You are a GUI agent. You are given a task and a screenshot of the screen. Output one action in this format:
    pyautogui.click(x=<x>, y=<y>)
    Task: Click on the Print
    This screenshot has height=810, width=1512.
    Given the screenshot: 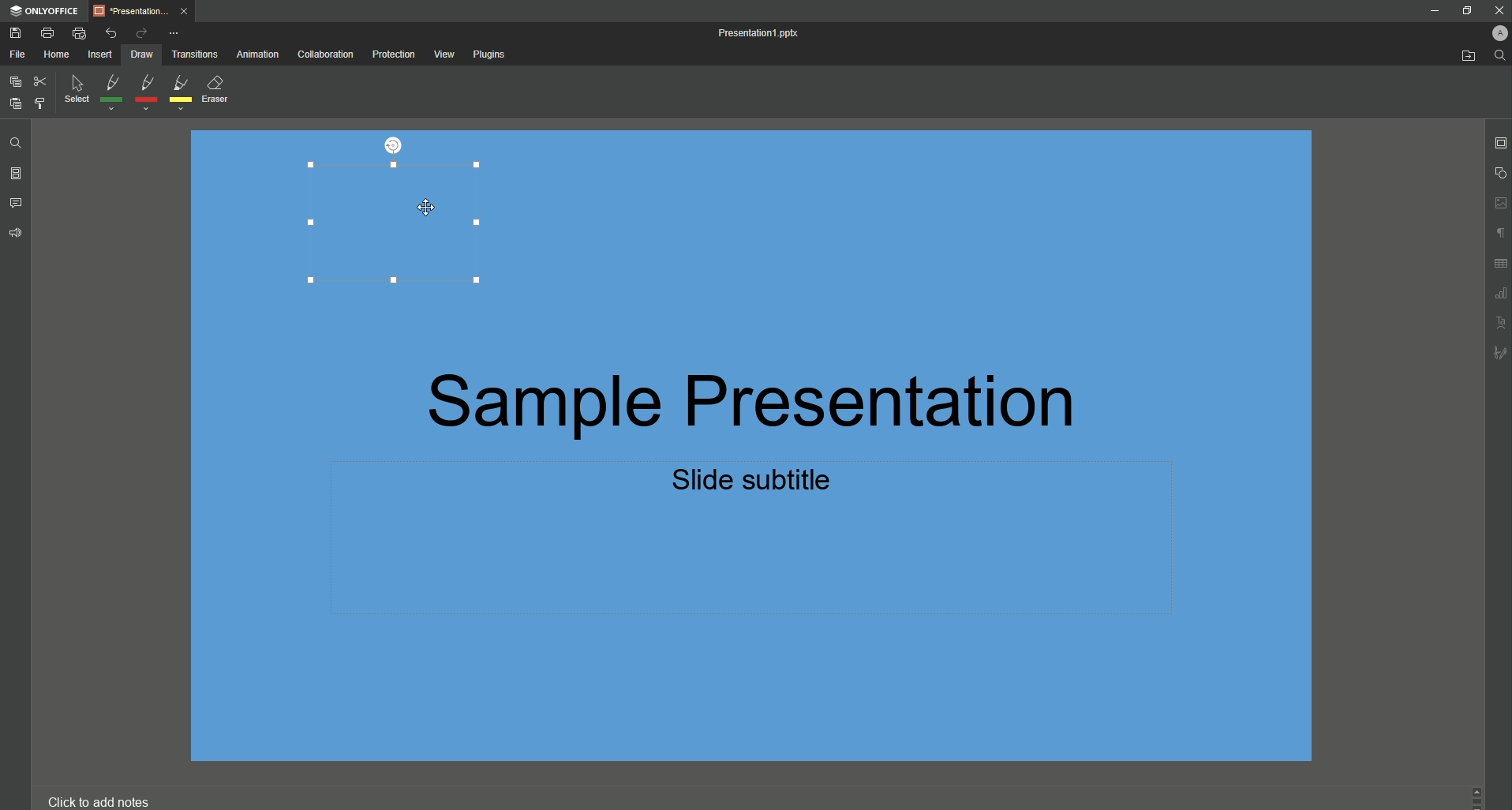 What is the action you would take?
    pyautogui.click(x=52, y=33)
    